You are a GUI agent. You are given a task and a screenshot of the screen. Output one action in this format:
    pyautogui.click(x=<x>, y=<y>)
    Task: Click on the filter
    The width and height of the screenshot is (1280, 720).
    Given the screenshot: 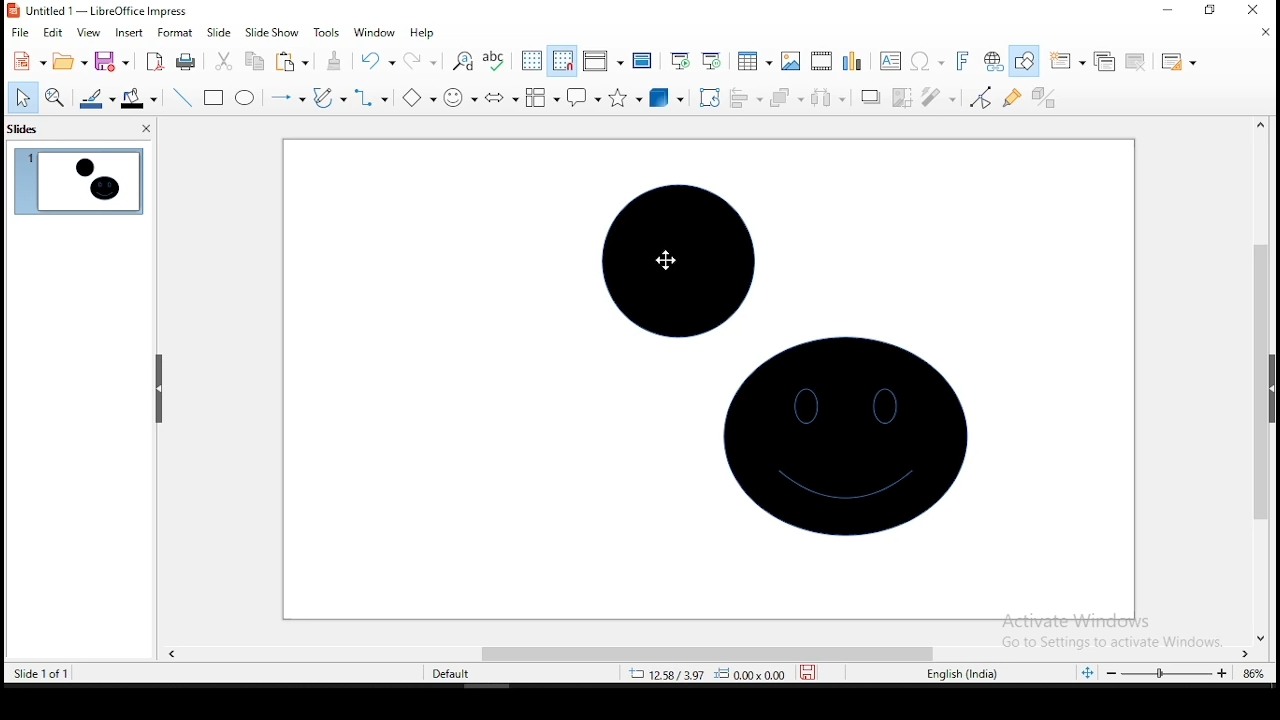 What is the action you would take?
    pyautogui.click(x=937, y=98)
    